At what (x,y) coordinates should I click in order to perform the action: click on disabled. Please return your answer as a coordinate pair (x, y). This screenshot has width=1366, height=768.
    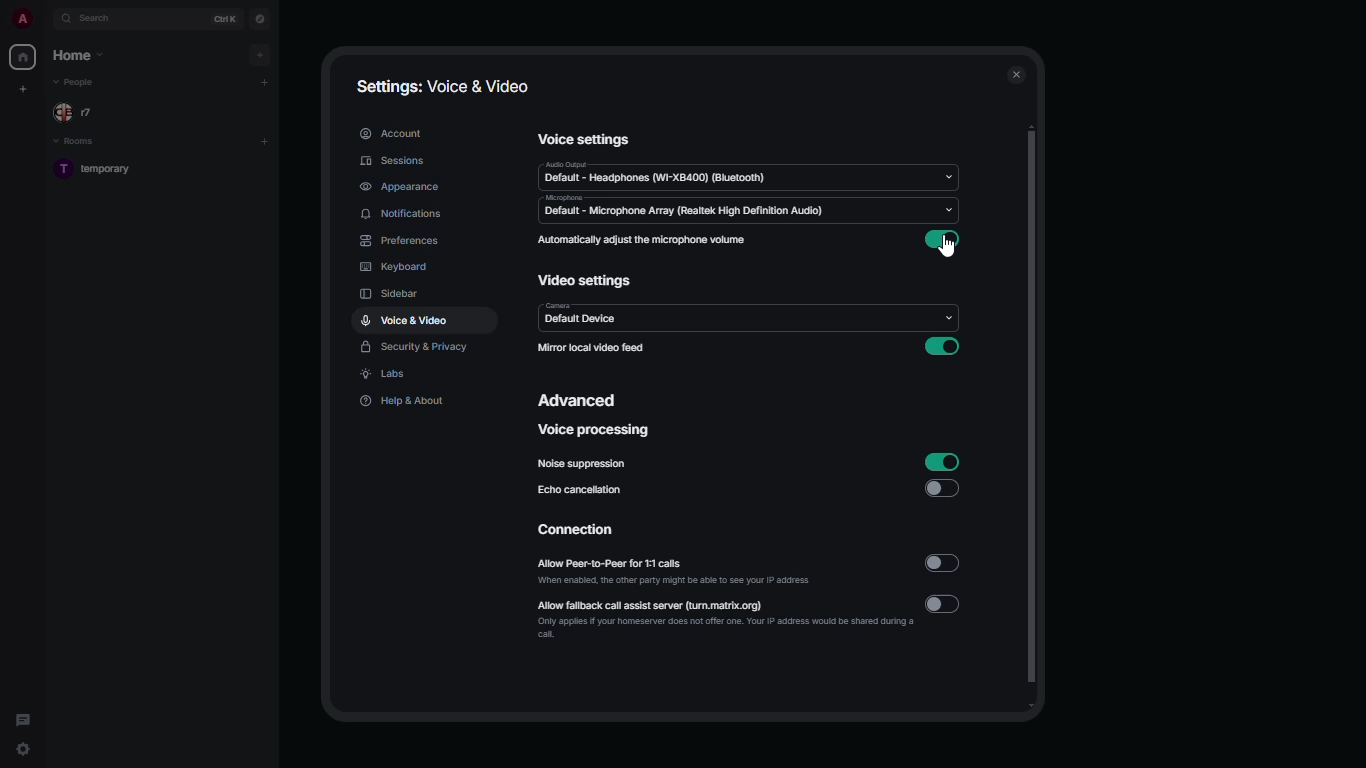
    Looking at the image, I should click on (941, 566).